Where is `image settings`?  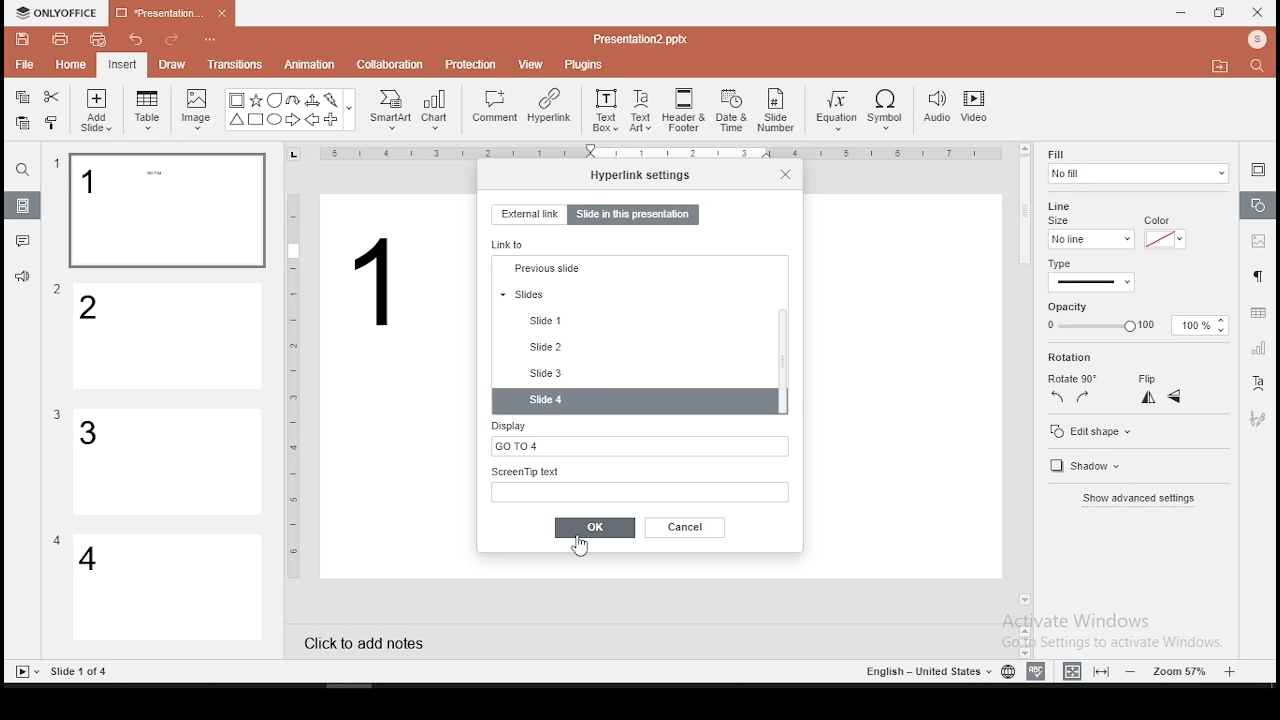 image settings is located at coordinates (1256, 243).